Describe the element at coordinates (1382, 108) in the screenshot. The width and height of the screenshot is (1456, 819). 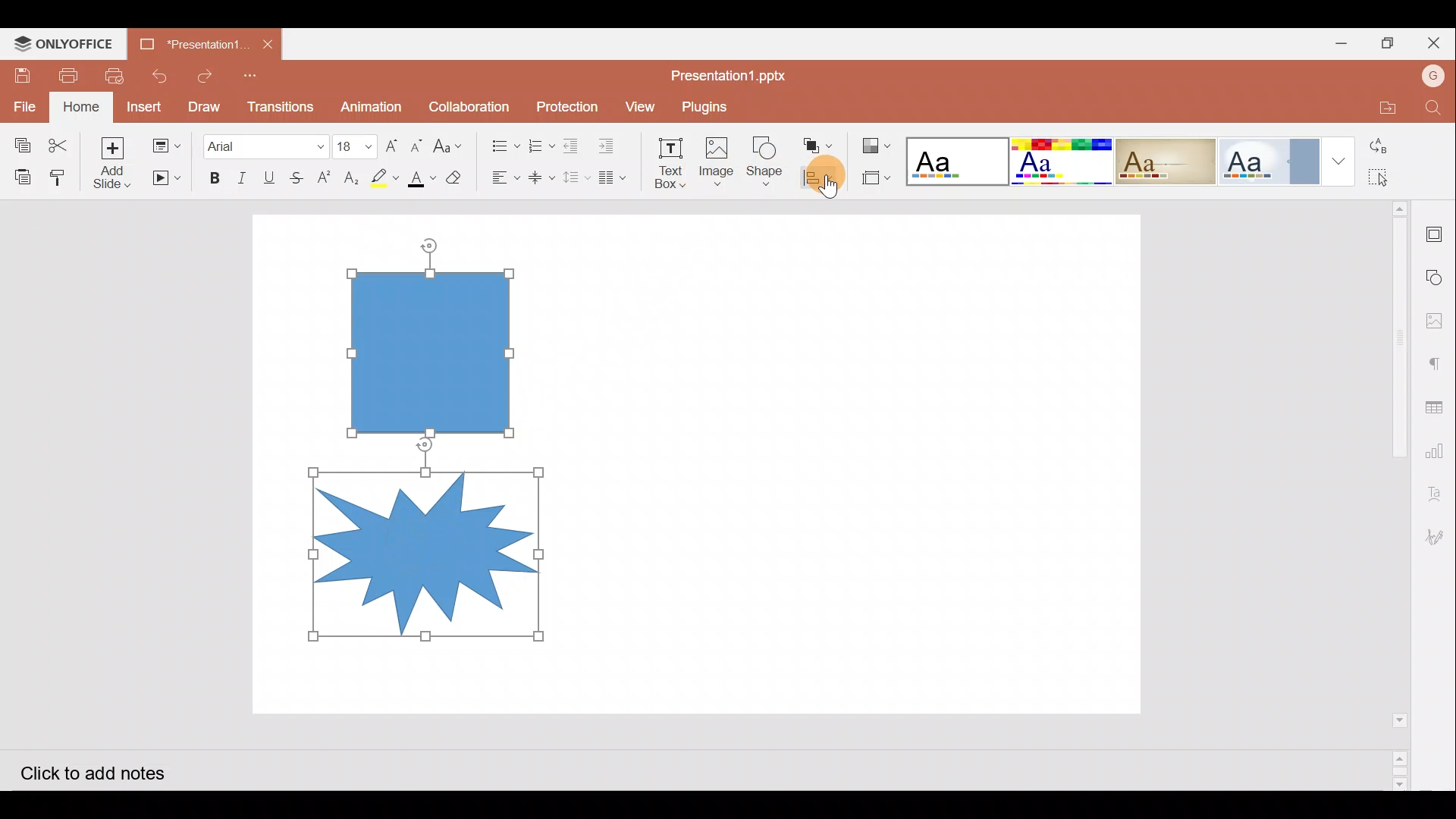
I see `Open file location` at that location.